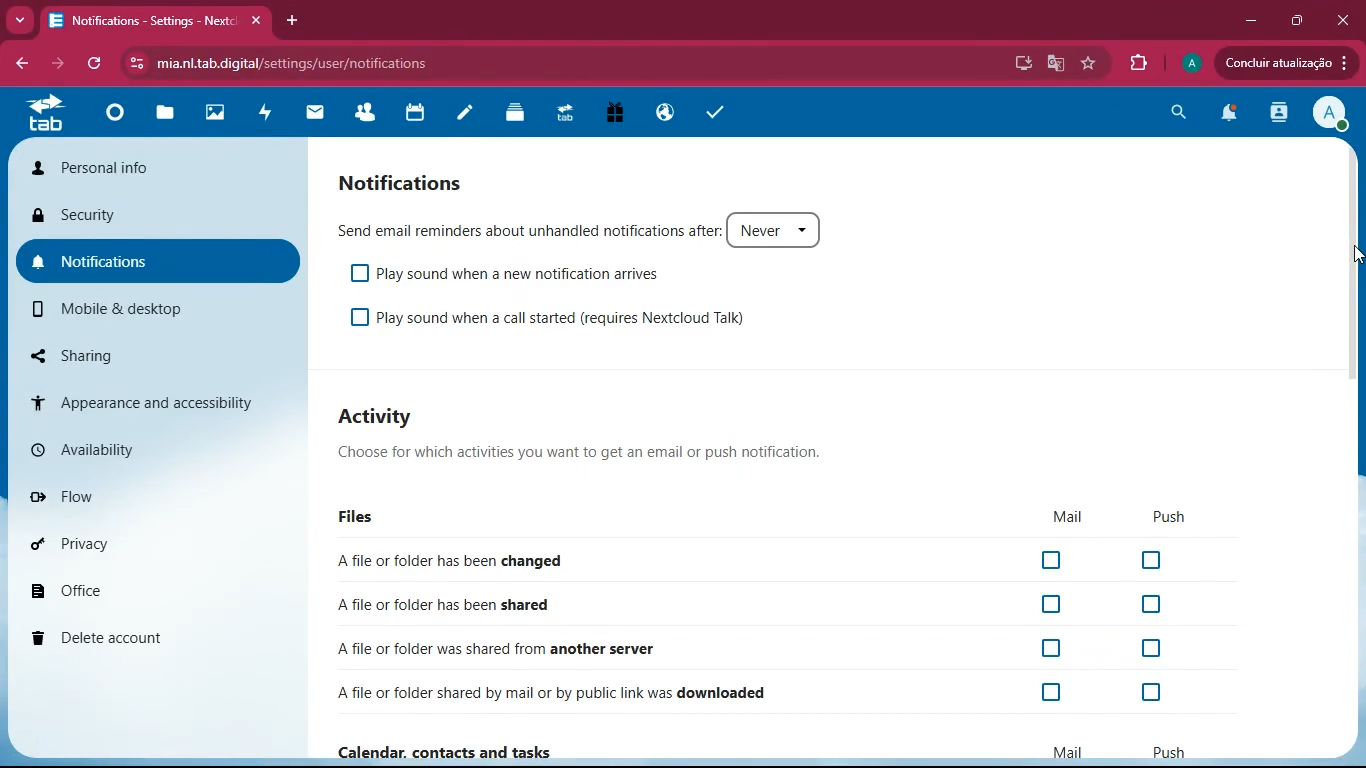  Describe the element at coordinates (322, 115) in the screenshot. I see `mail` at that location.